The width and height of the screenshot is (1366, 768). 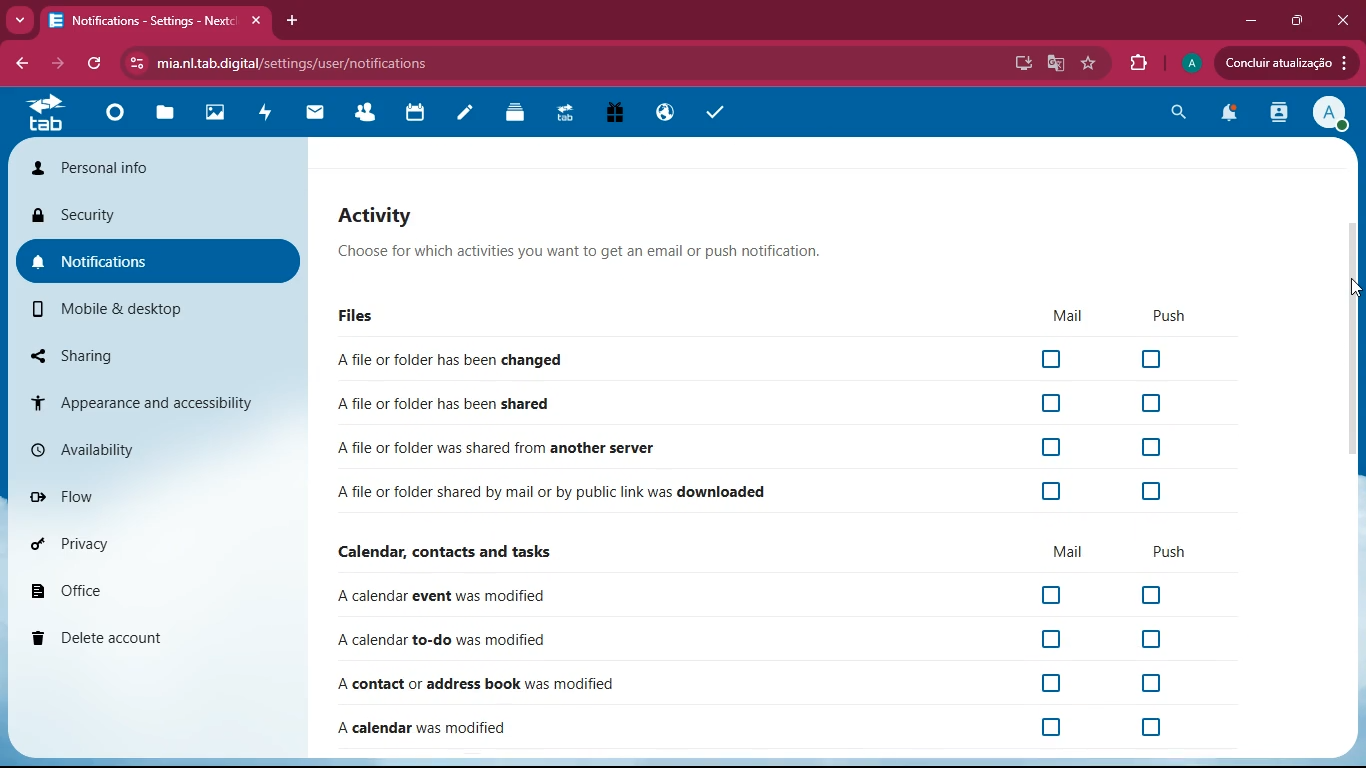 What do you see at coordinates (158, 637) in the screenshot?
I see `delete account` at bounding box center [158, 637].